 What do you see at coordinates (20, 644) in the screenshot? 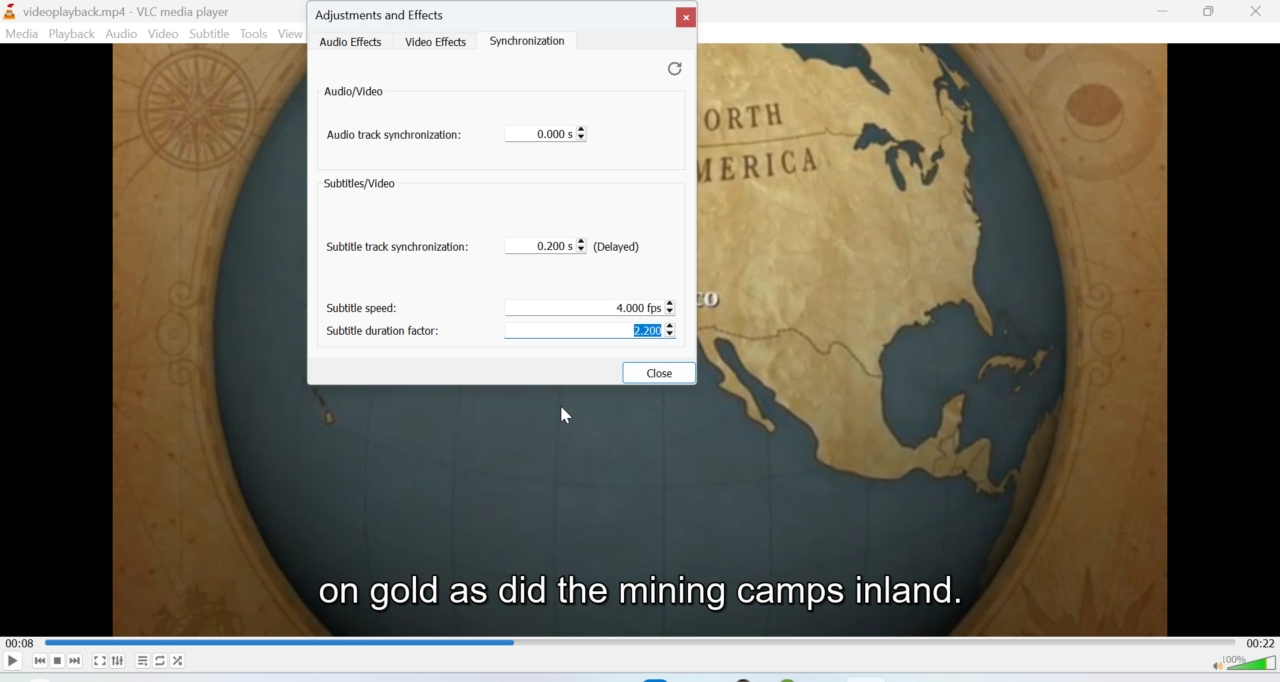
I see `00:08` at bounding box center [20, 644].